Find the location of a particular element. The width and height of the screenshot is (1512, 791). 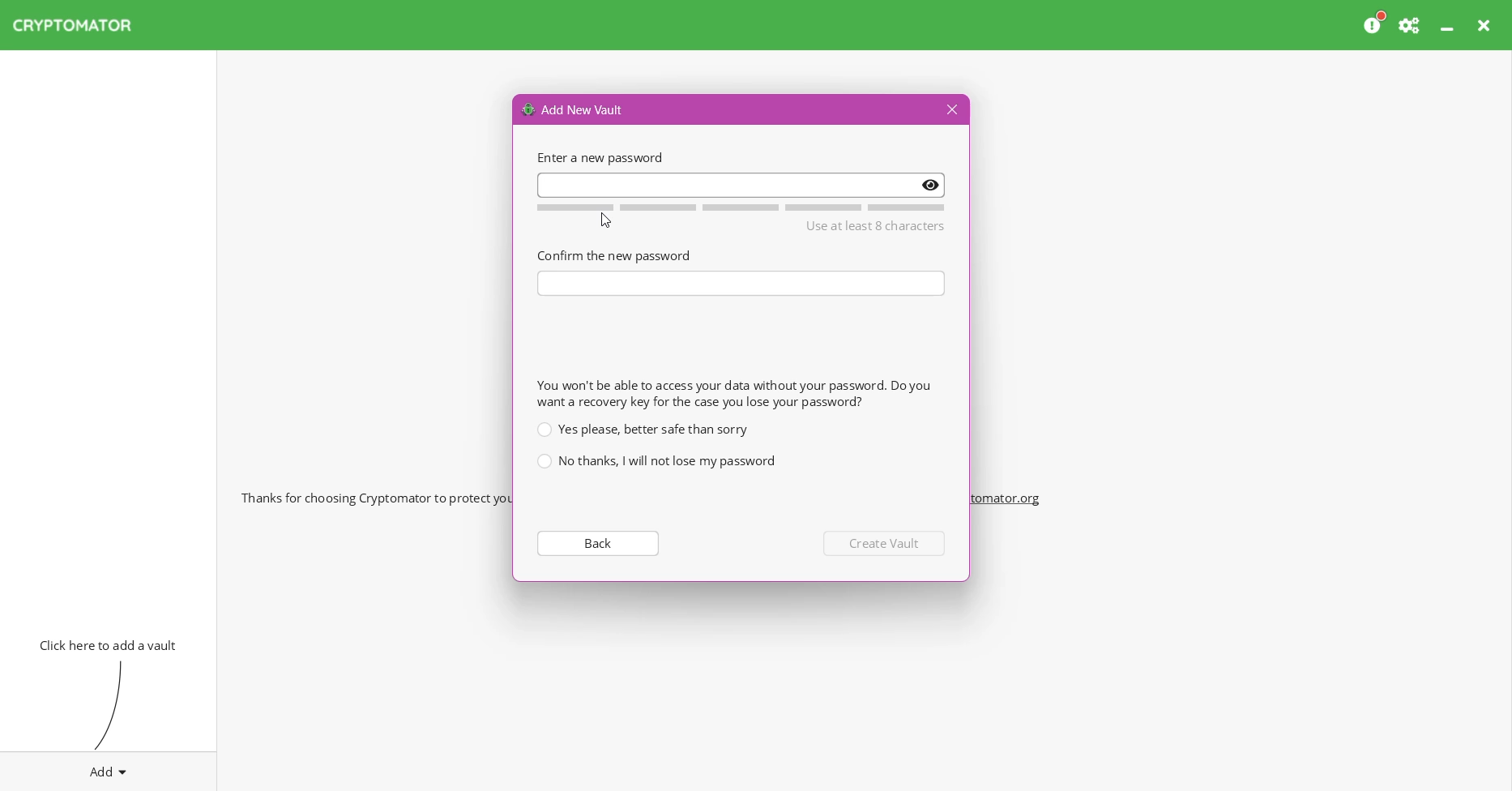

You won't be able to access your data without your password. Do want a recovery key for the case you lose your password is located at coordinates (733, 393).